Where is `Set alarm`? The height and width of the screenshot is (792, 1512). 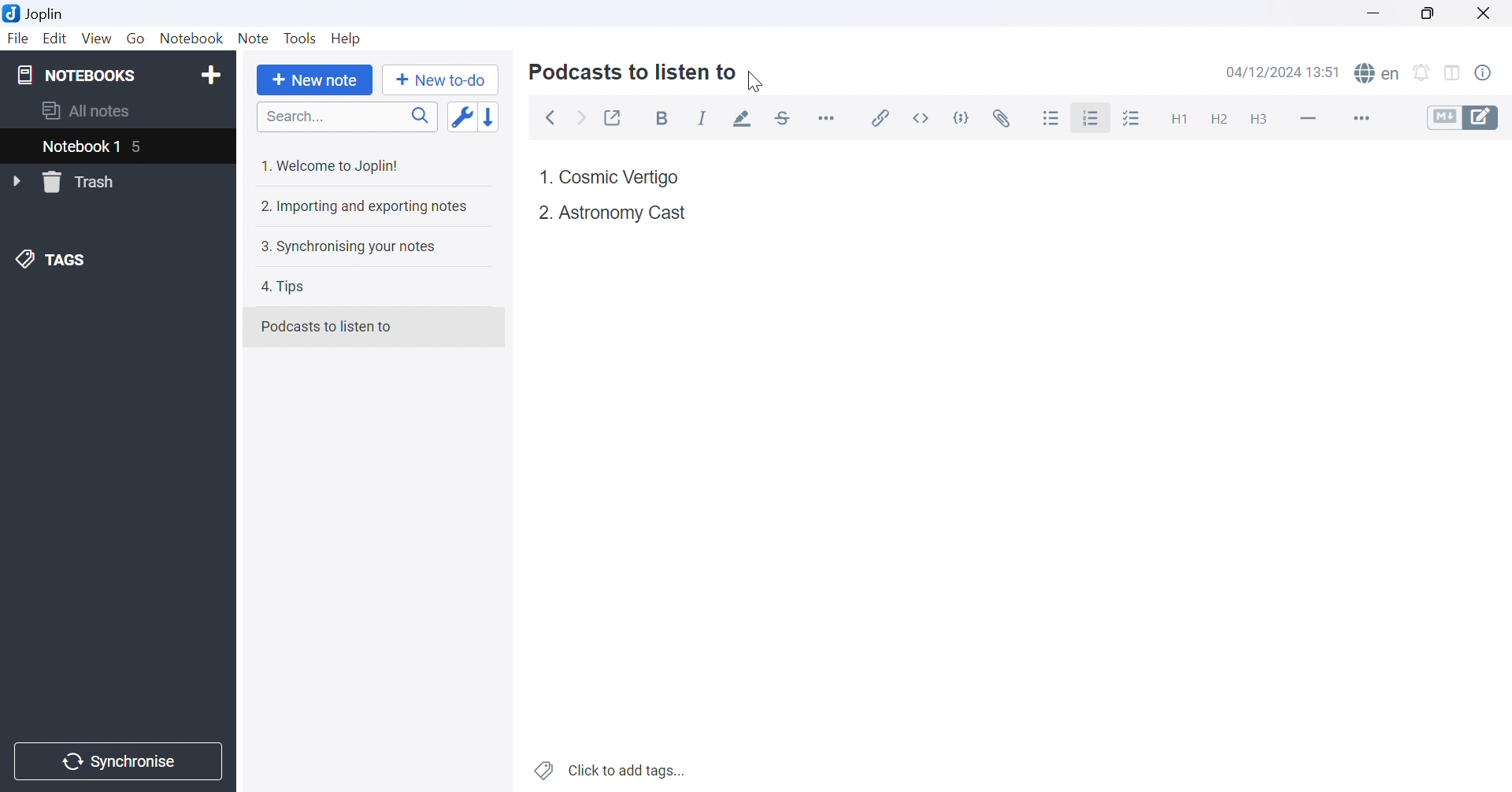 Set alarm is located at coordinates (1421, 72).